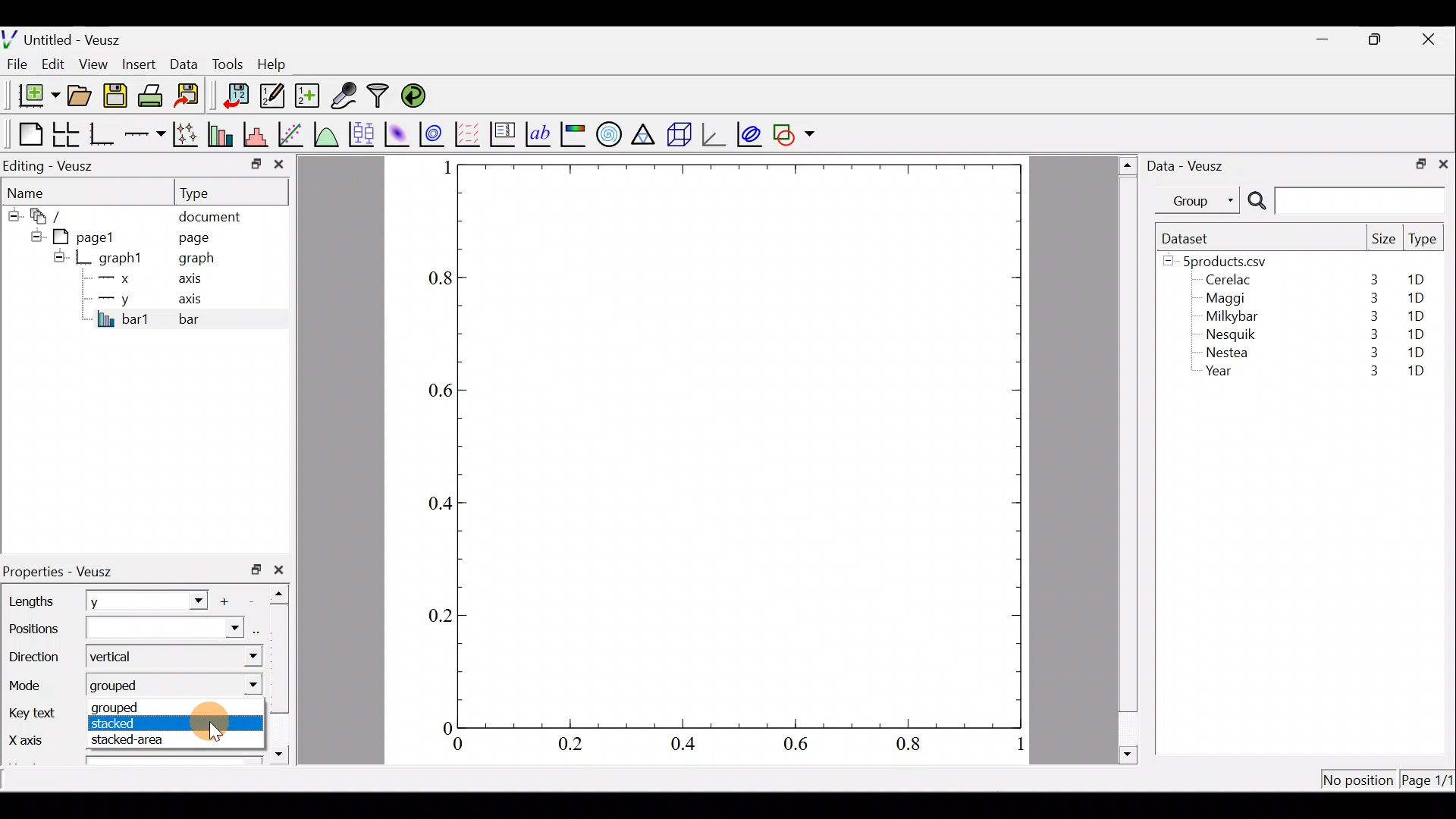 Image resolution: width=1456 pixels, height=819 pixels. What do you see at coordinates (912, 745) in the screenshot?
I see `0.8` at bounding box center [912, 745].